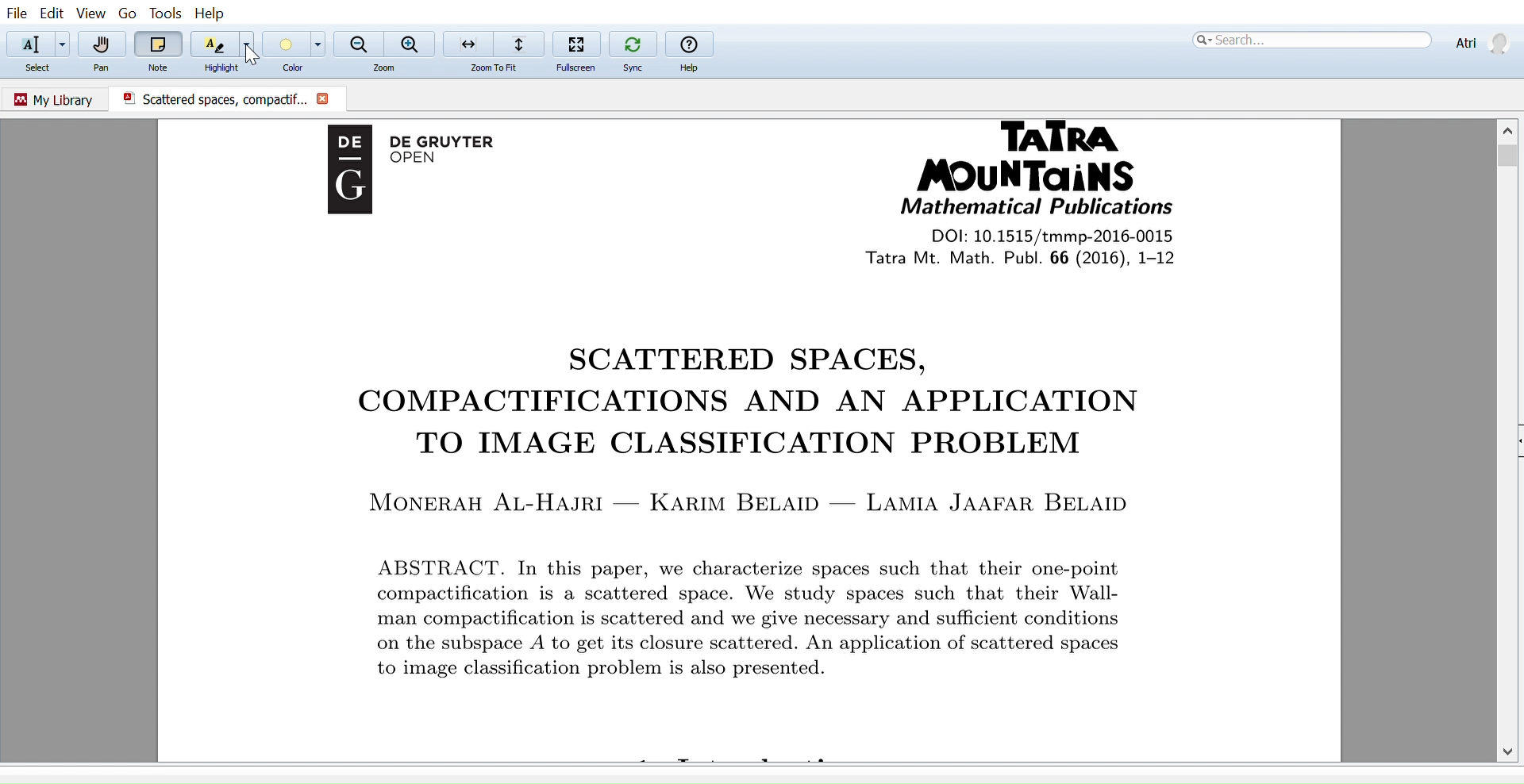  I want to click on Color, so click(287, 70).